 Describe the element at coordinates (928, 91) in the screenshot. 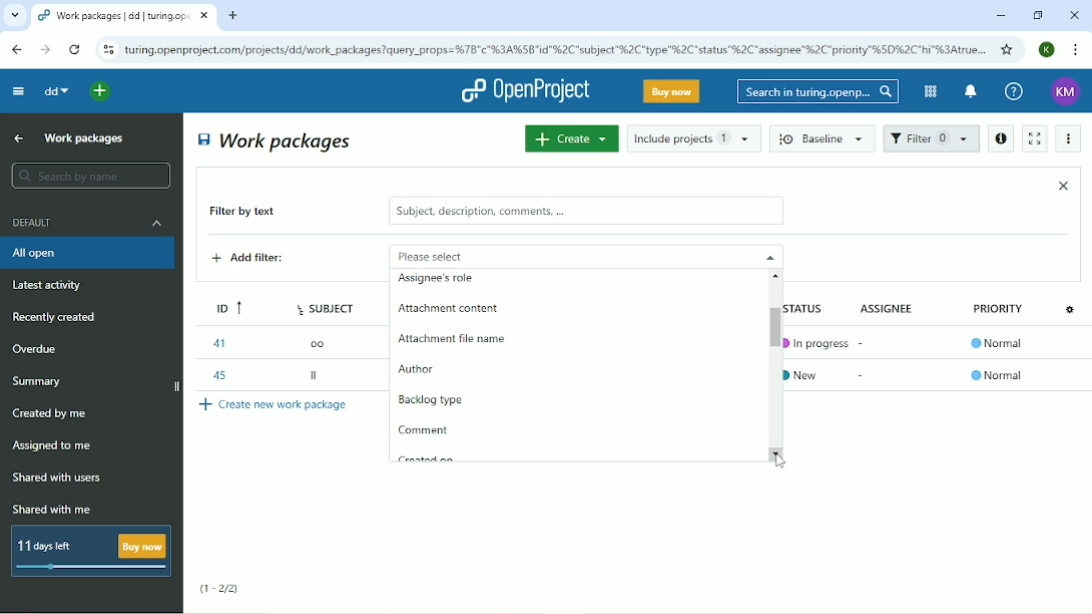

I see `Modules` at that location.